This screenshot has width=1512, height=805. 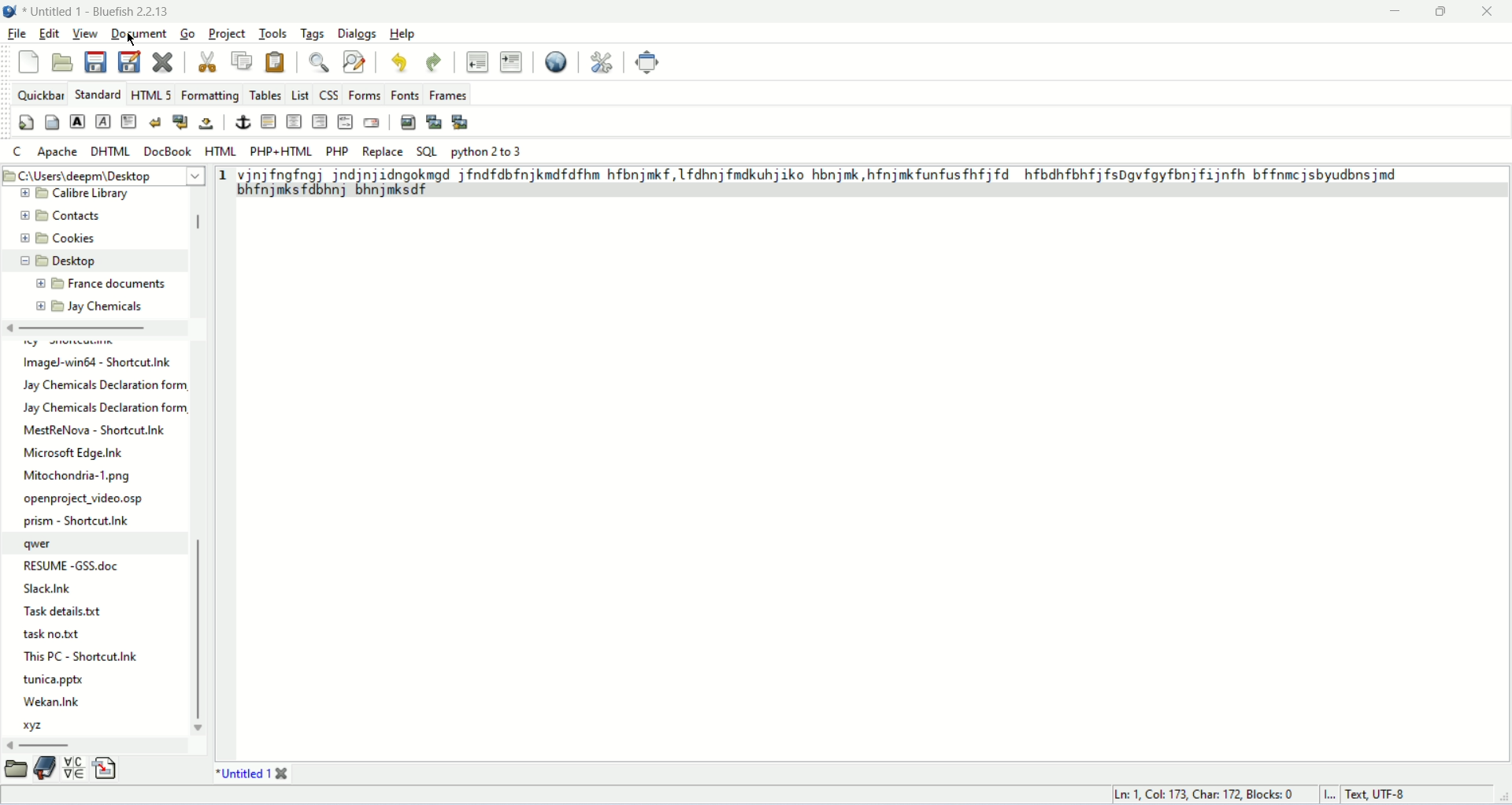 What do you see at coordinates (223, 153) in the screenshot?
I see `HTML` at bounding box center [223, 153].